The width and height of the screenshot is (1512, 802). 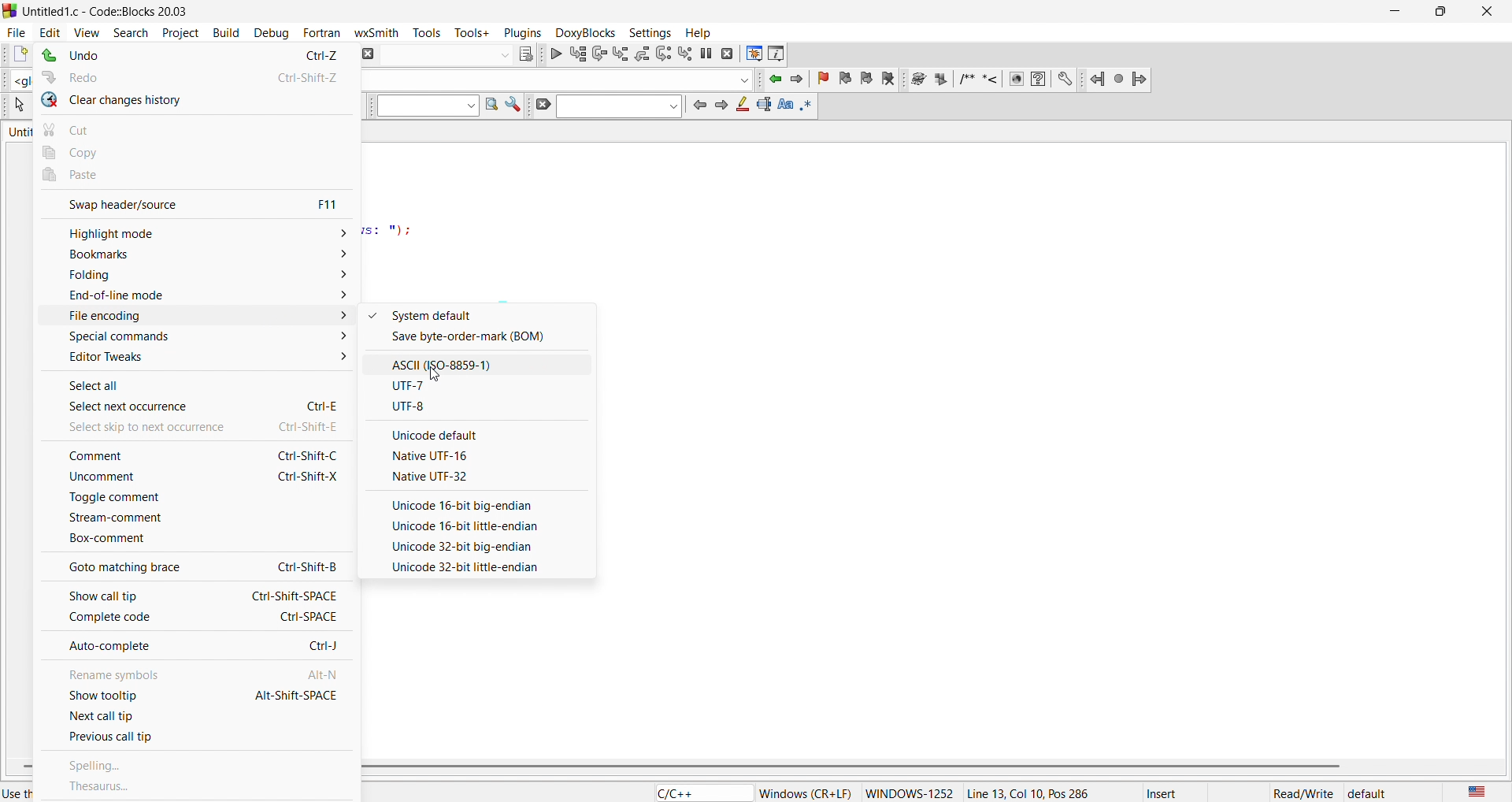 What do you see at coordinates (1439, 9) in the screenshot?
I see `maximize/restore` at bounding box center [1439, 9].